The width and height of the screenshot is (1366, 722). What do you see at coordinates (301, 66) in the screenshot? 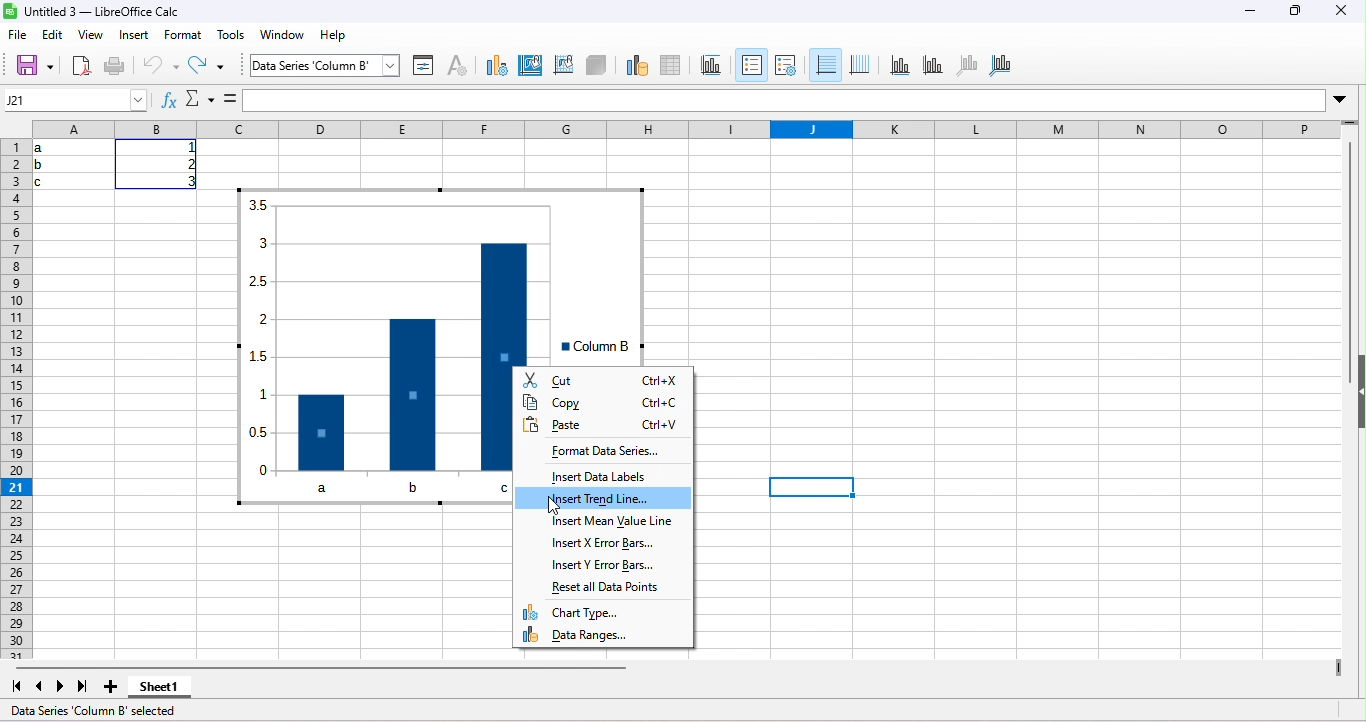
I see `chart area` at bounding box center [301, 66].